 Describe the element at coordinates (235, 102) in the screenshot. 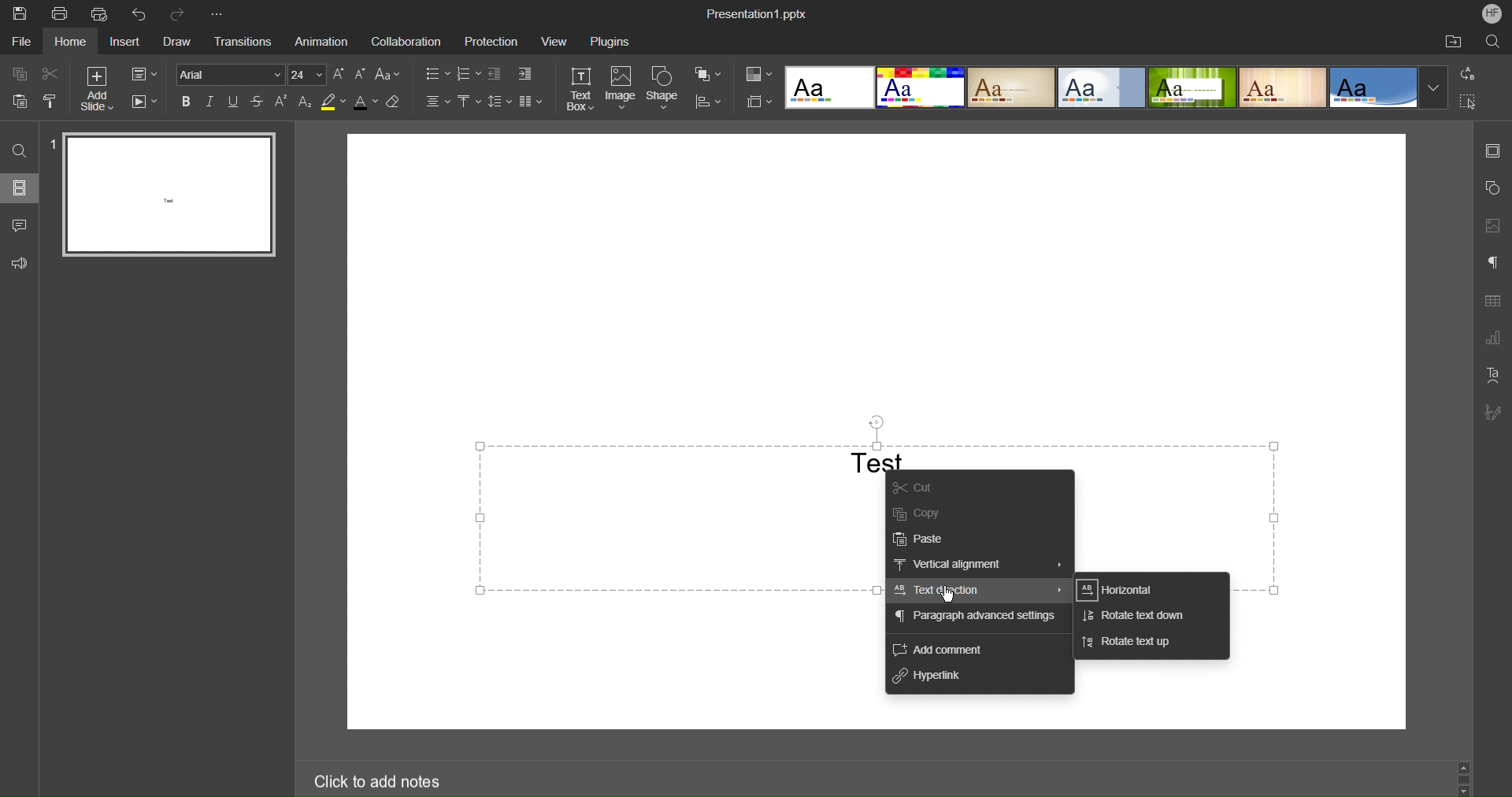

I see `Underline` at that location.